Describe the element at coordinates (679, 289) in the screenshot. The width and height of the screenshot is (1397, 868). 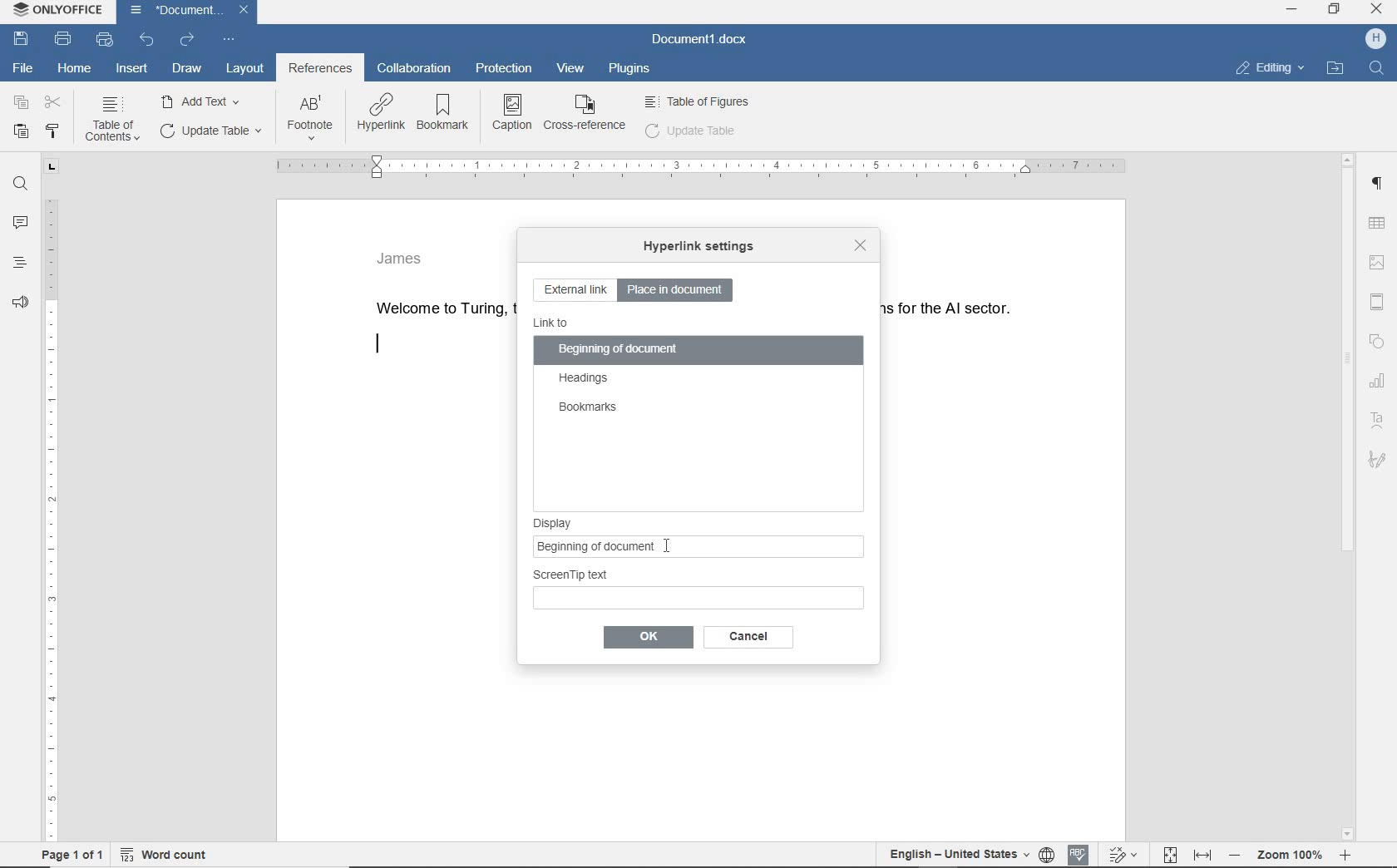
I see `place in document` at that location.